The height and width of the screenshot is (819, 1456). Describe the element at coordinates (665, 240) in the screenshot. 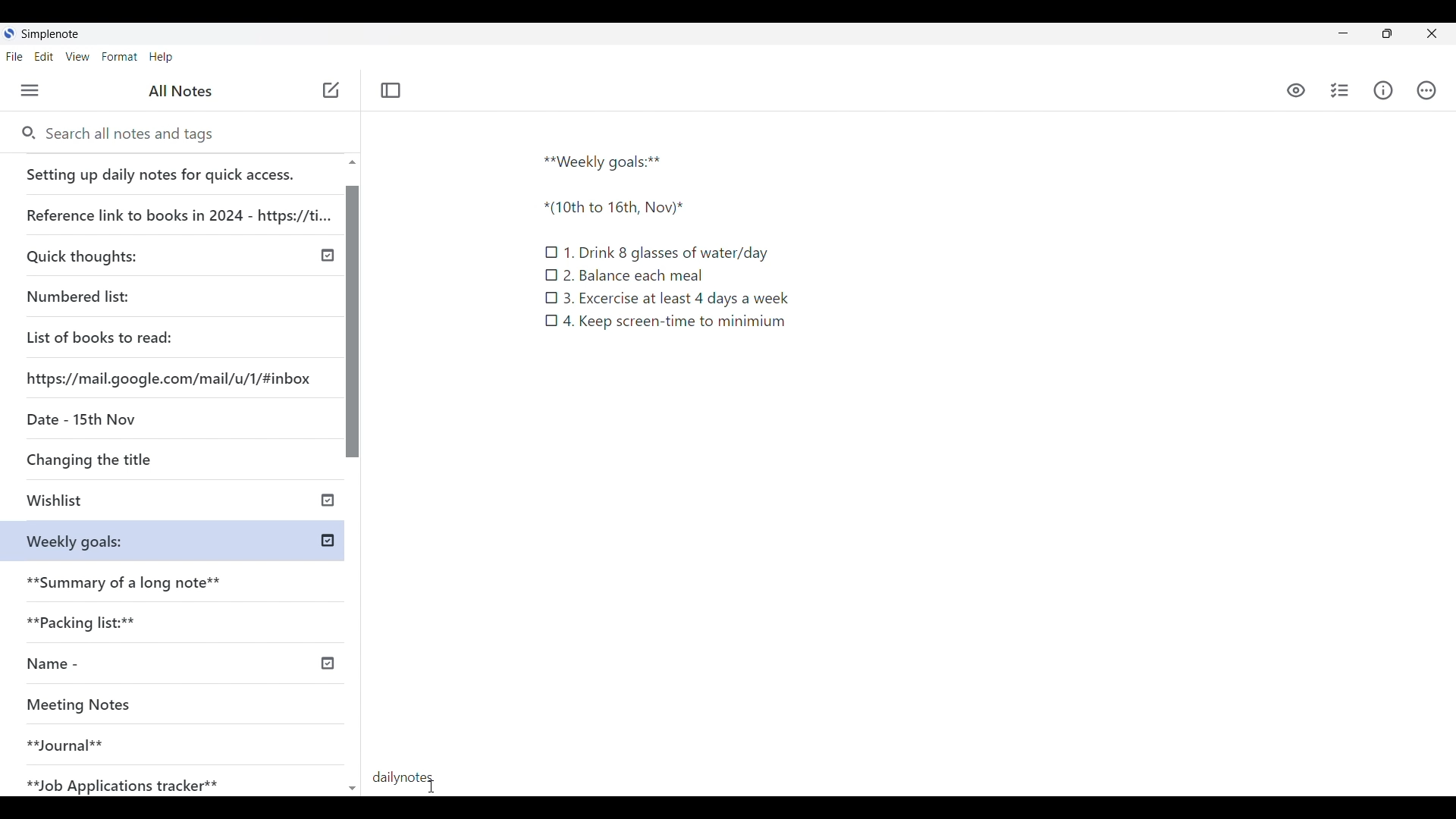

I see `Text in current note` at that location.